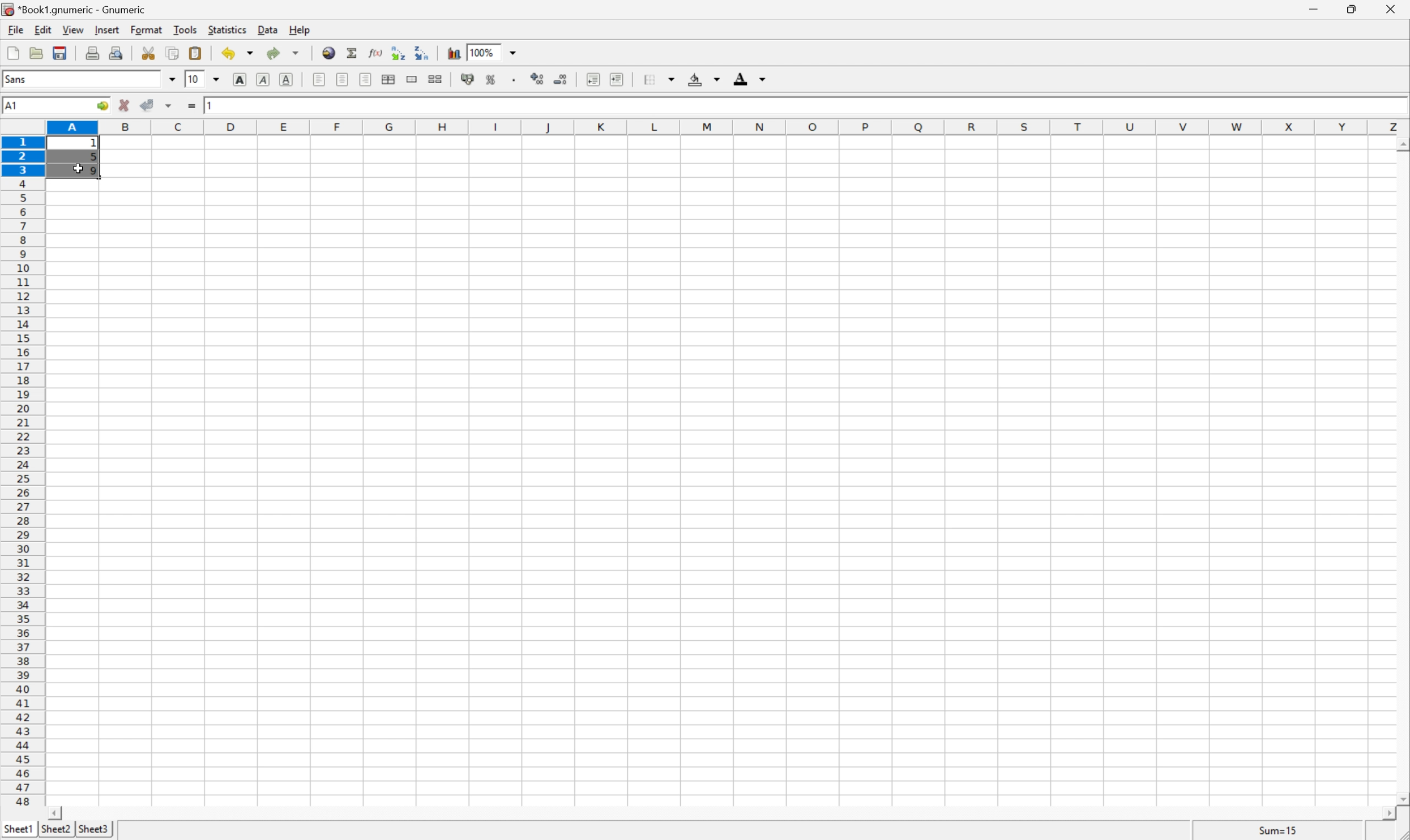 This screenshot has height=840, width=1410. What do you see at coordinates (367, 79) in the screenshot?
I see `align right` at bounding box center [367, 79].